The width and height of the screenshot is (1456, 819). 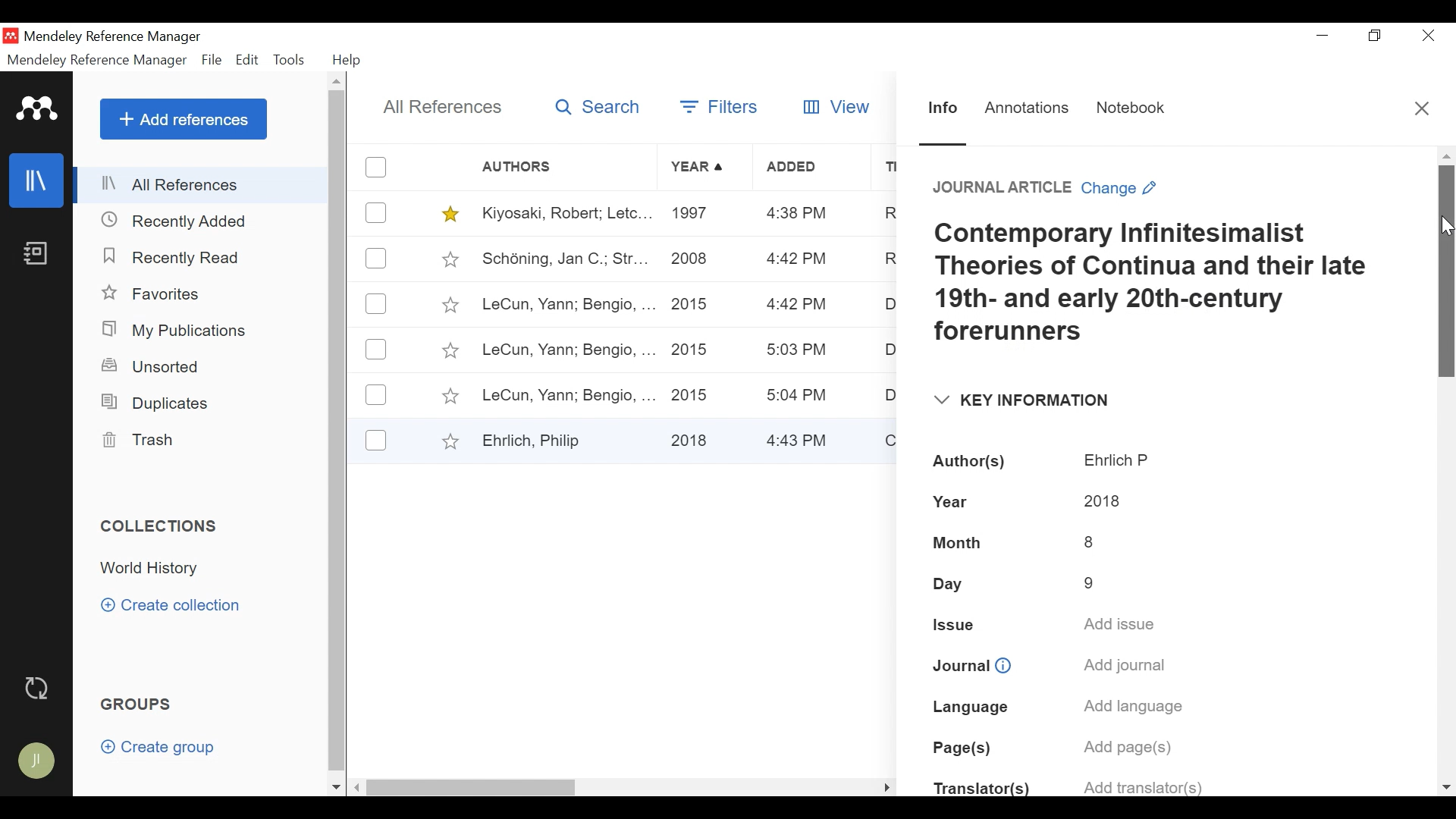 What do you see at coordinates (962, 503) in the screenshot?
I see `Year` at bounding box center [962, 503].